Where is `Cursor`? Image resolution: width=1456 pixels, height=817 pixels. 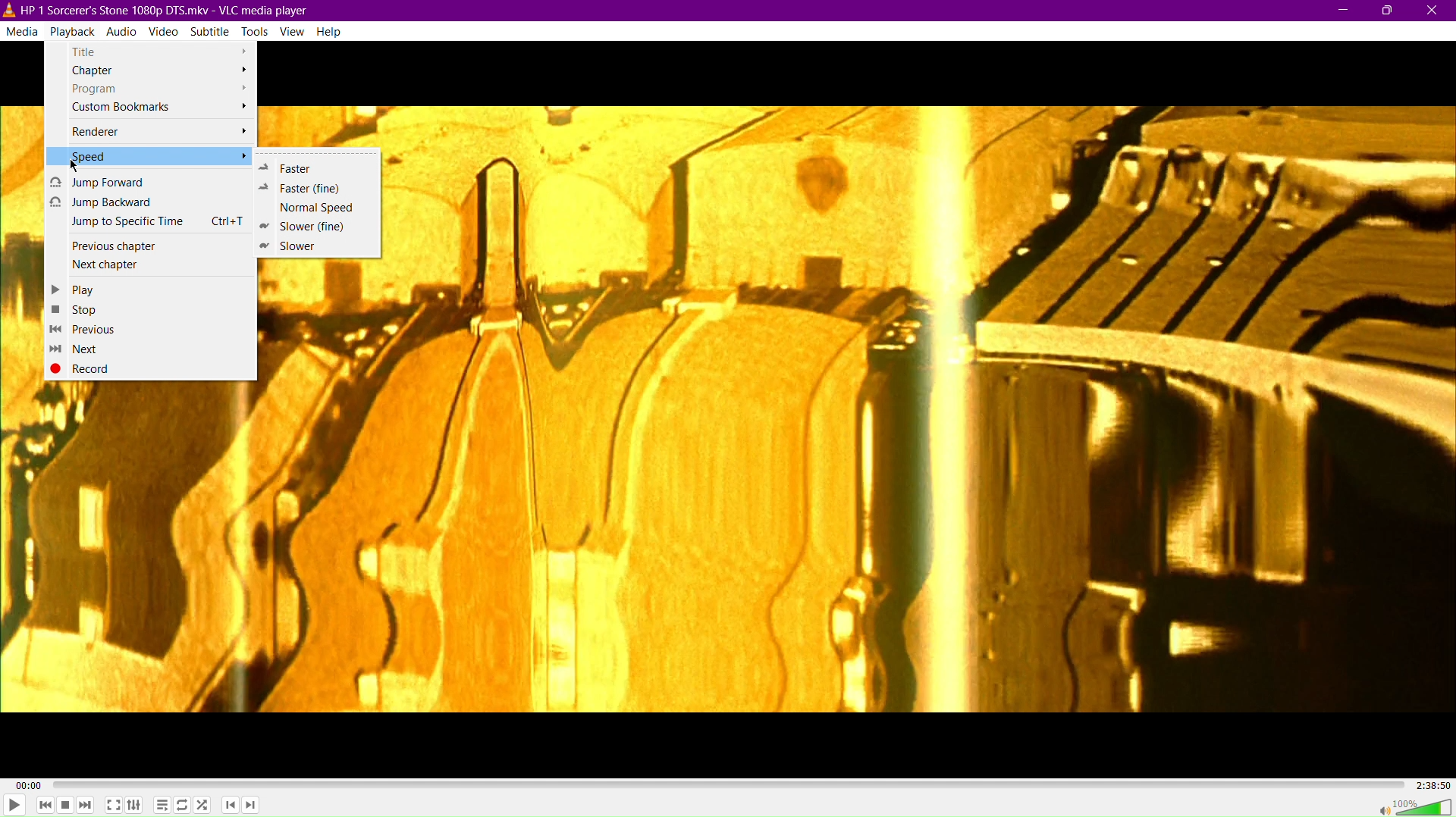
Cursor is located at coordinates (74, 162).